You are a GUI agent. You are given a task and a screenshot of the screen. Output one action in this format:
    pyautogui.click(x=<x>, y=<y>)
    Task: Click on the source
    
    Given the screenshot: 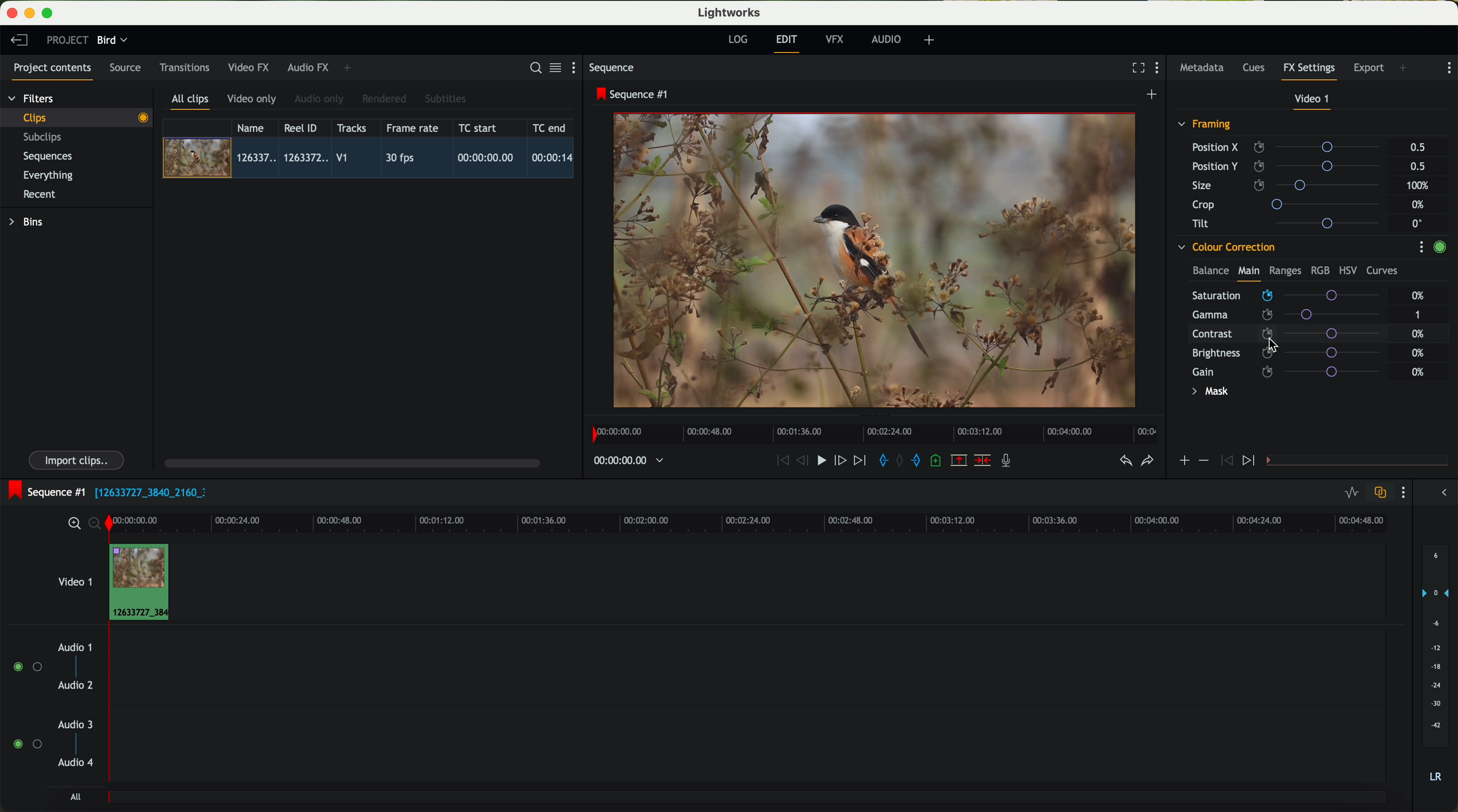 What is the action you would take?
    pyautogui.click(x=125, y=68)
    